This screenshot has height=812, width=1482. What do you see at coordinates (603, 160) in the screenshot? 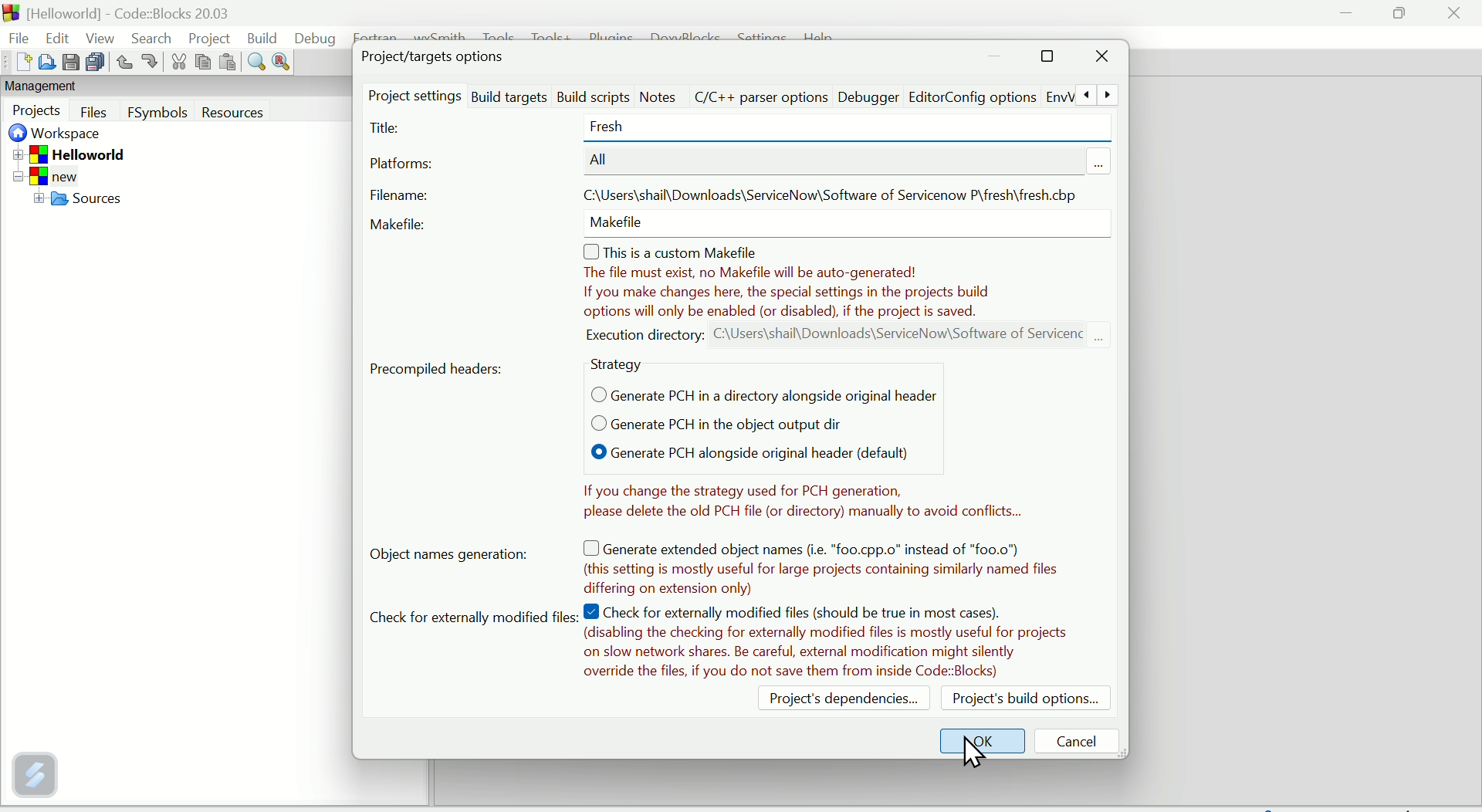
I see `All` at bounding box center [603, 160].